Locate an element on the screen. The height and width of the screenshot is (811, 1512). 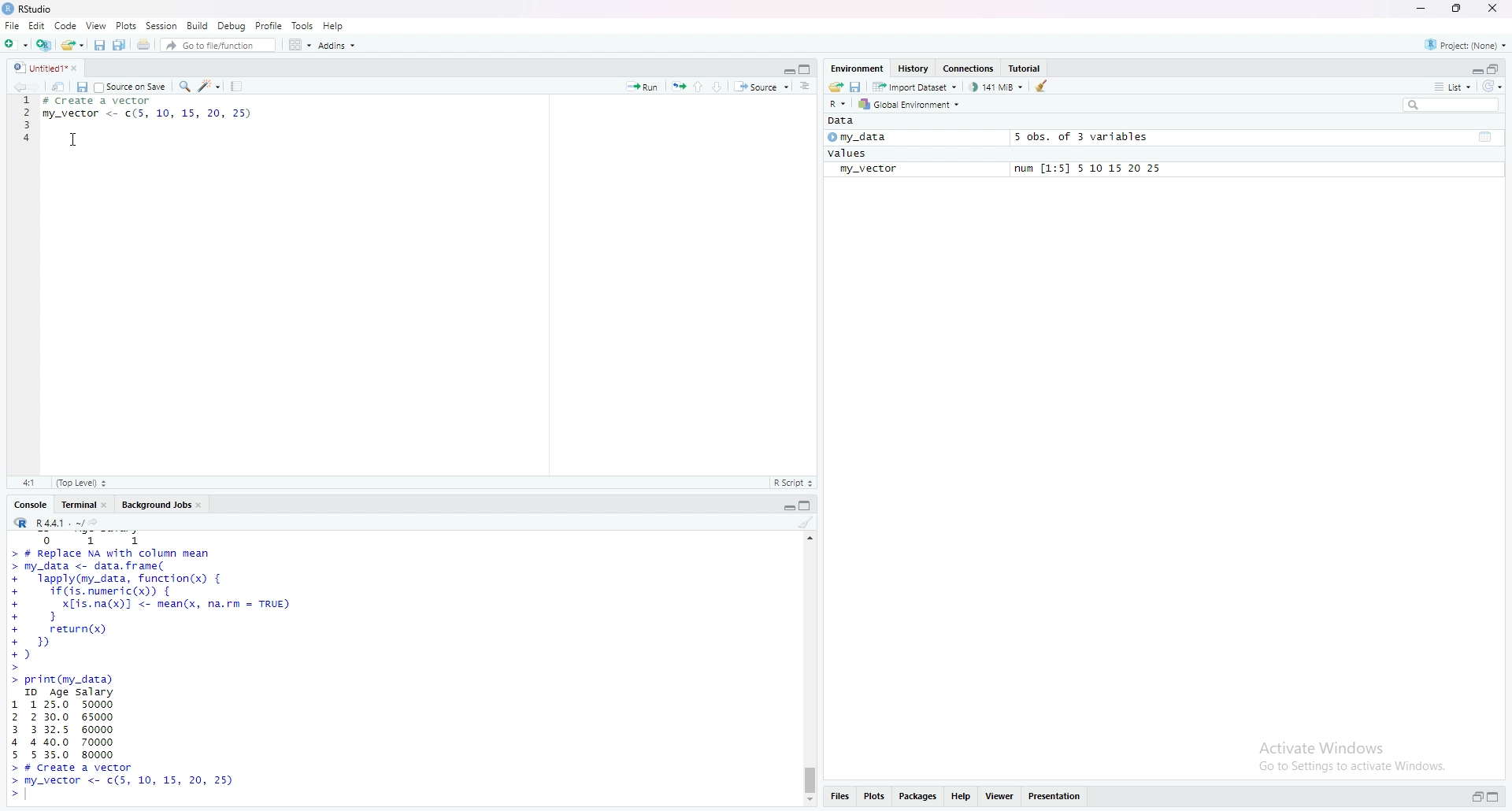
profile is located at coordinates (269, 25).